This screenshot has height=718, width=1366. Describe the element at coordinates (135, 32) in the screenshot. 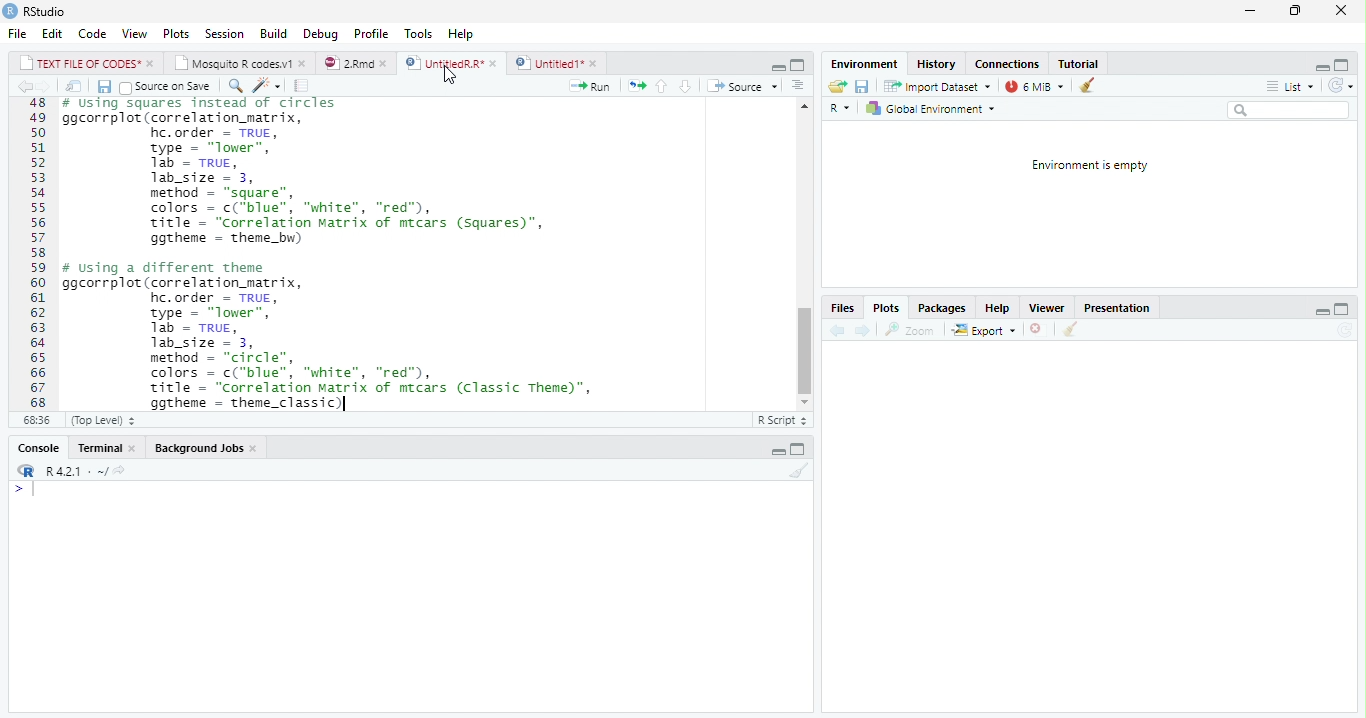

I see `View` at that location.